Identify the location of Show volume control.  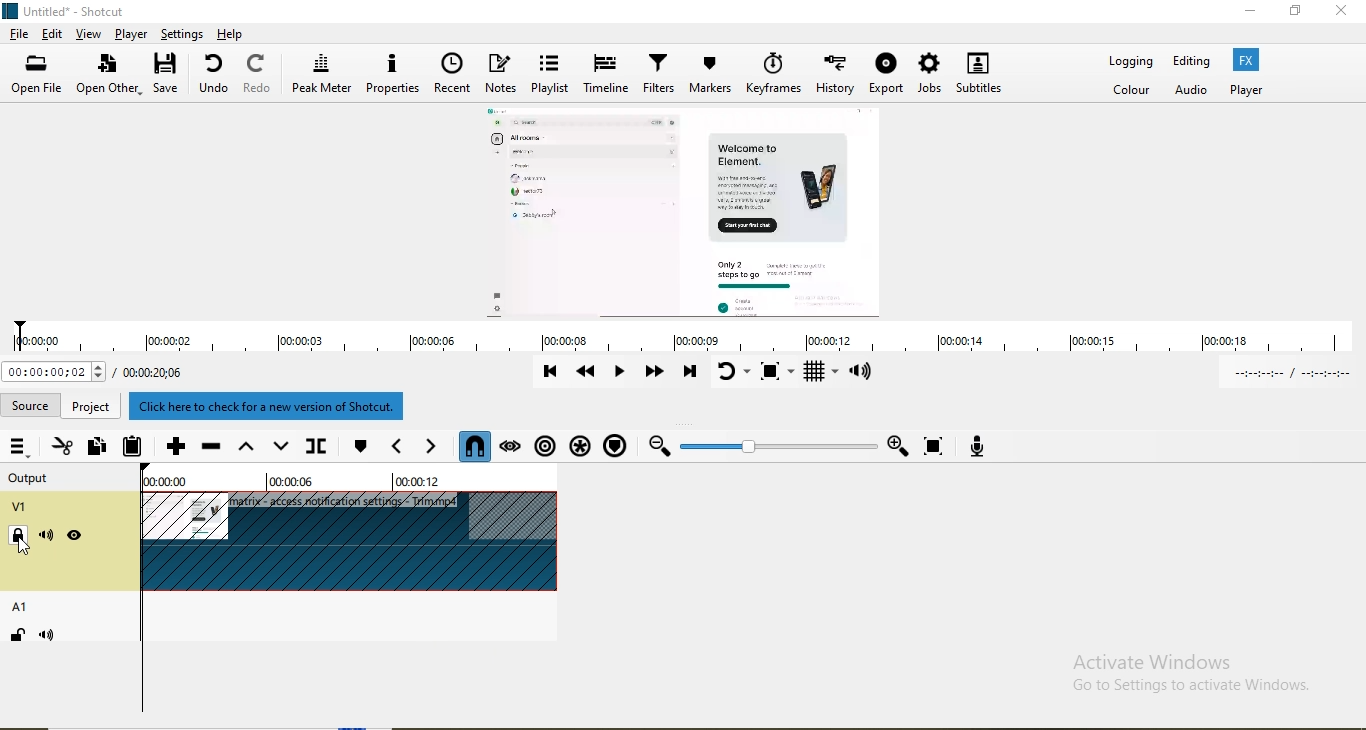
(864, 374).